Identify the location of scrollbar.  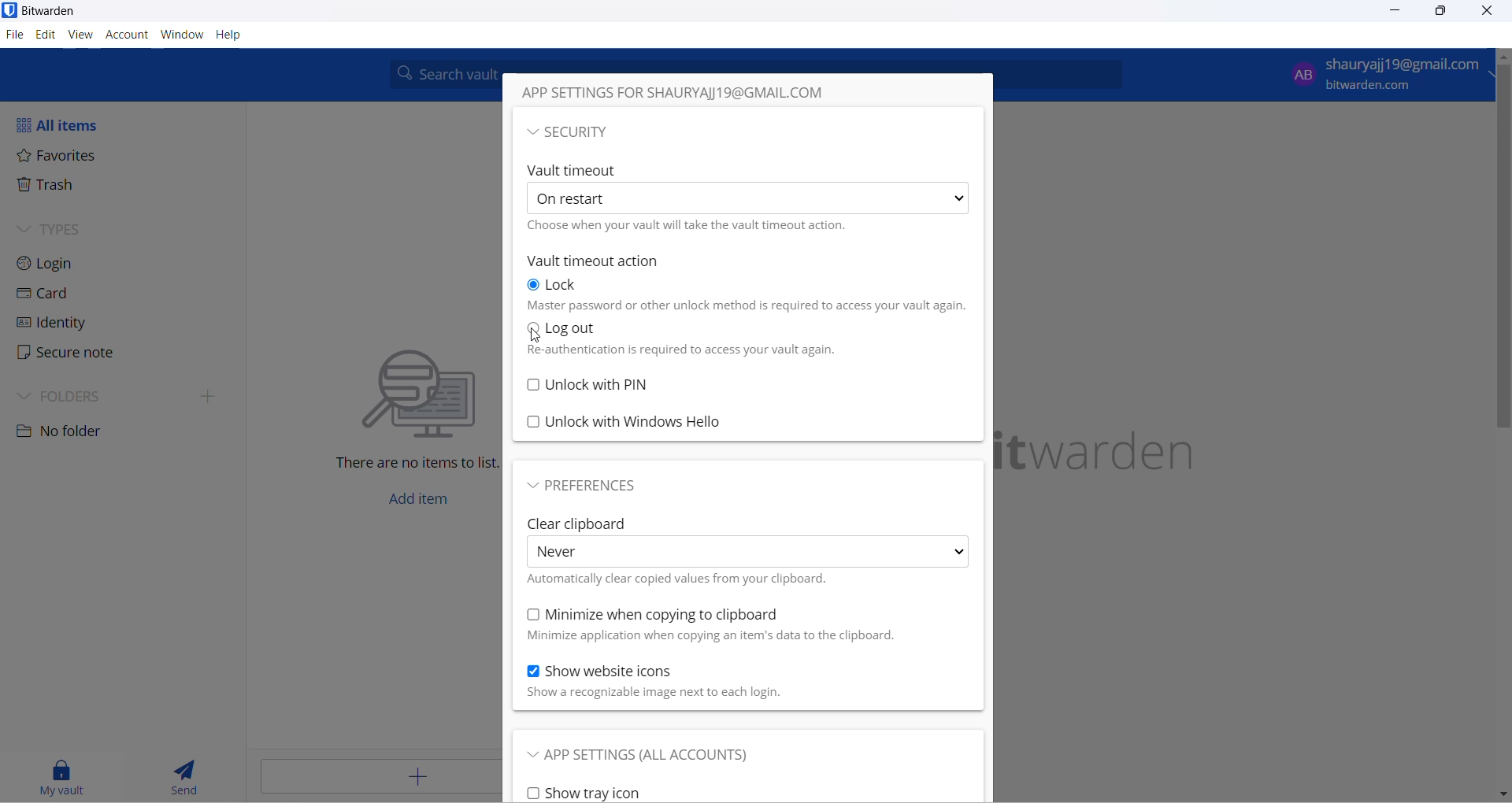
(1503, 258).